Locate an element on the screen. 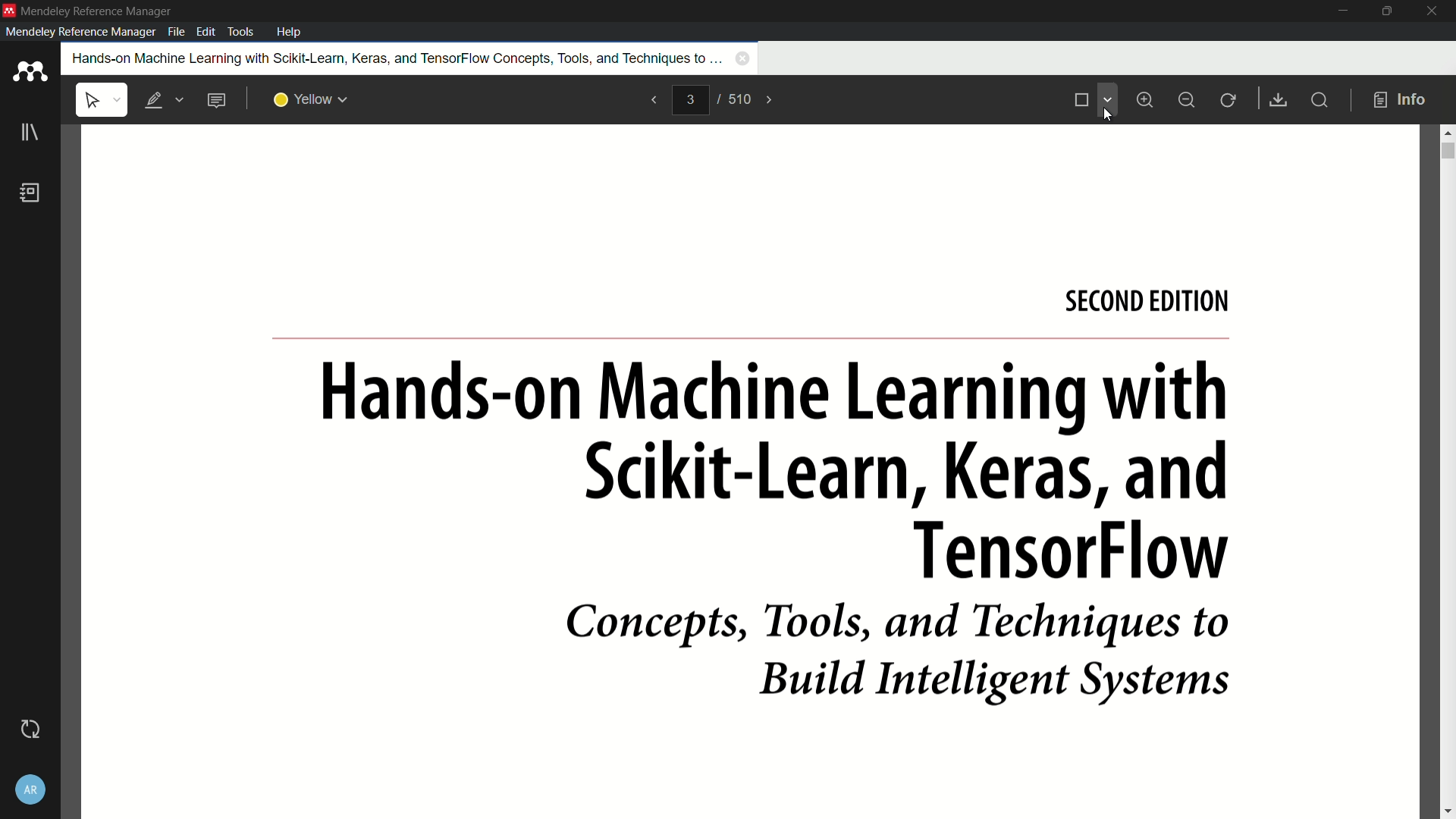  close app is located at coordinates (1433, 11).